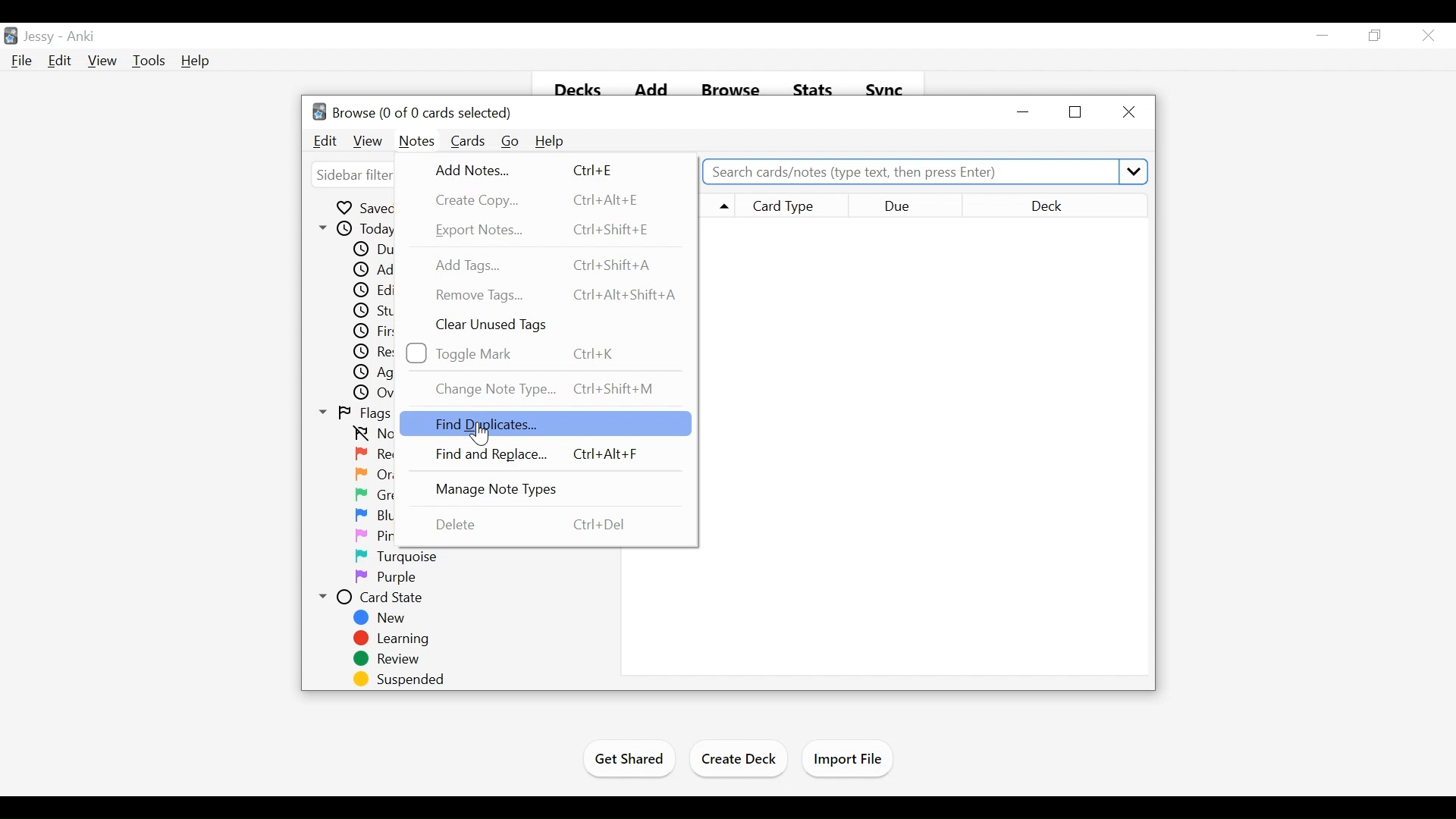  I want to click on minimize, so click(1025, 111).